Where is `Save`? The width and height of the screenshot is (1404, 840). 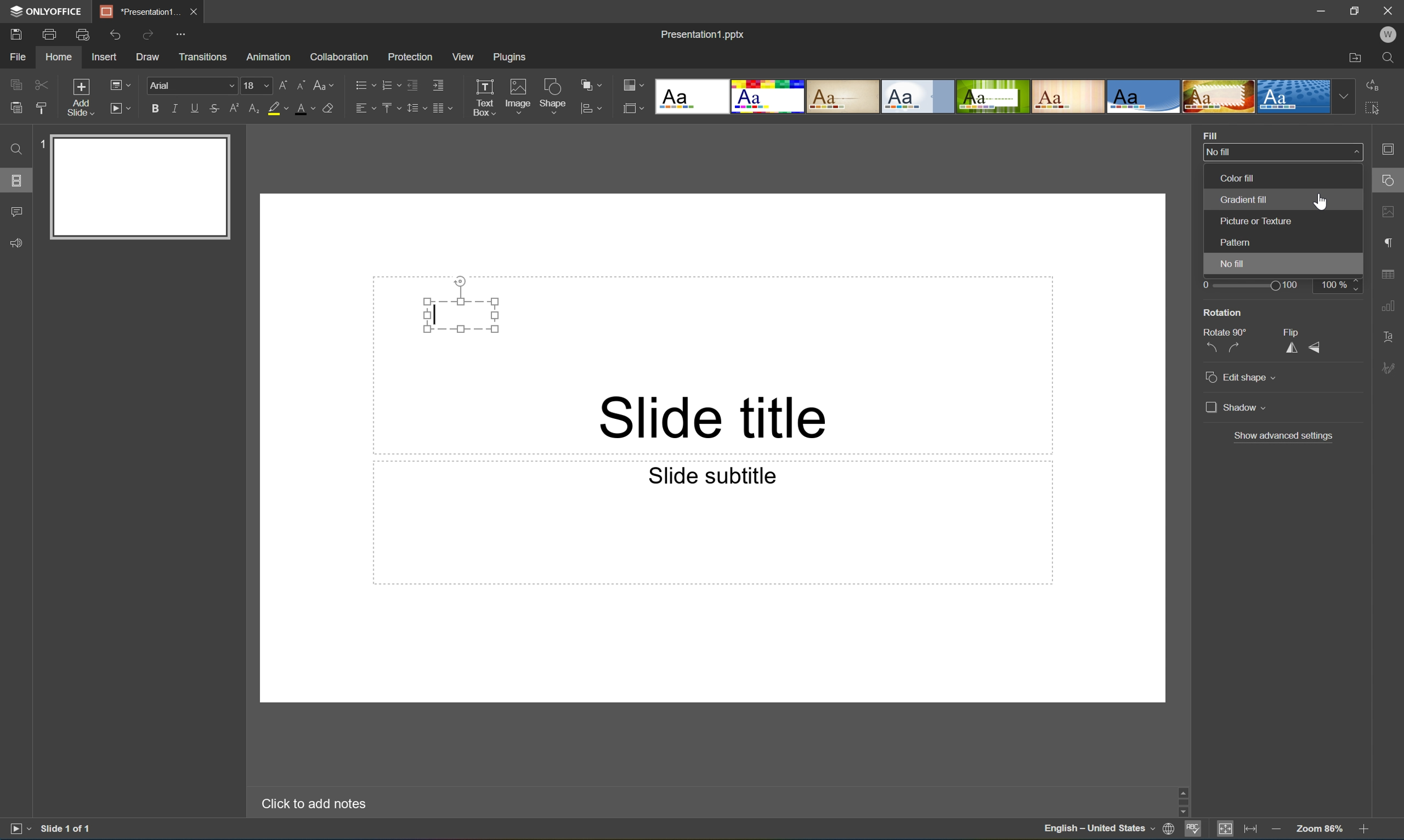 Save is located at coordinates (14, 33).